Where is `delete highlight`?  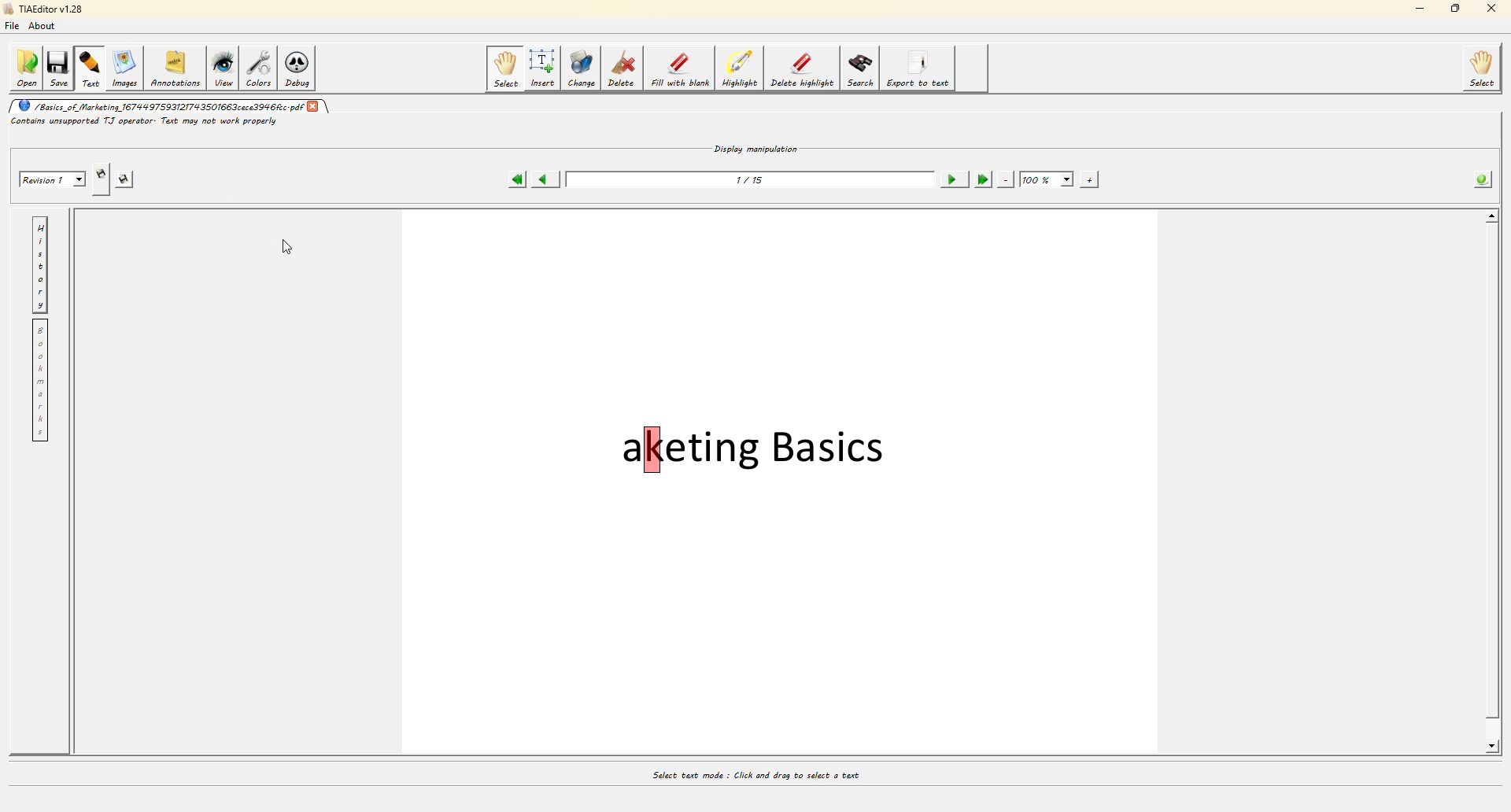 delete highlight is located at coordinates (801, 69).